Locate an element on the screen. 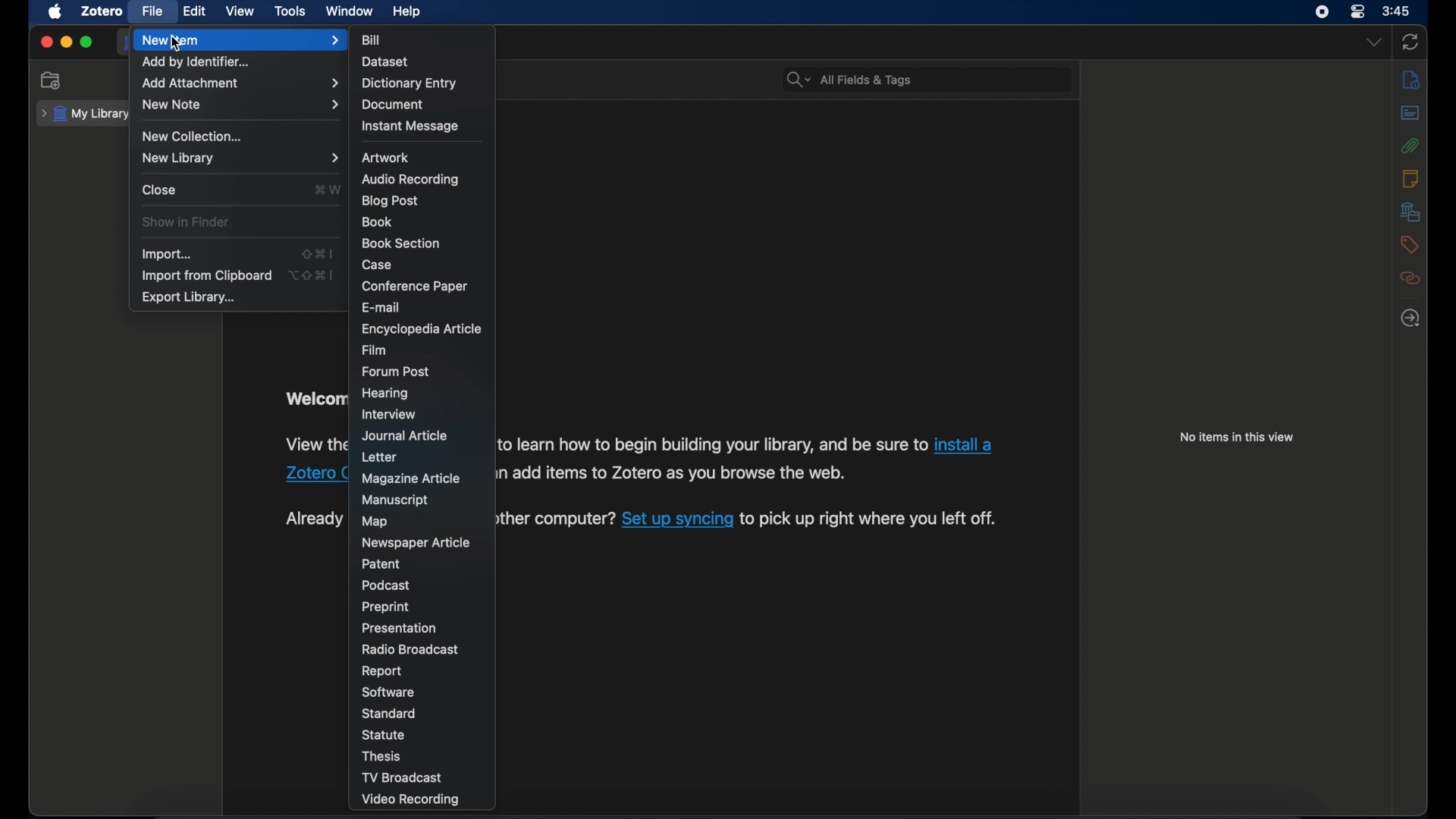 This screenshot has height=819, width=1456. case is located at coordinates (379, 265).